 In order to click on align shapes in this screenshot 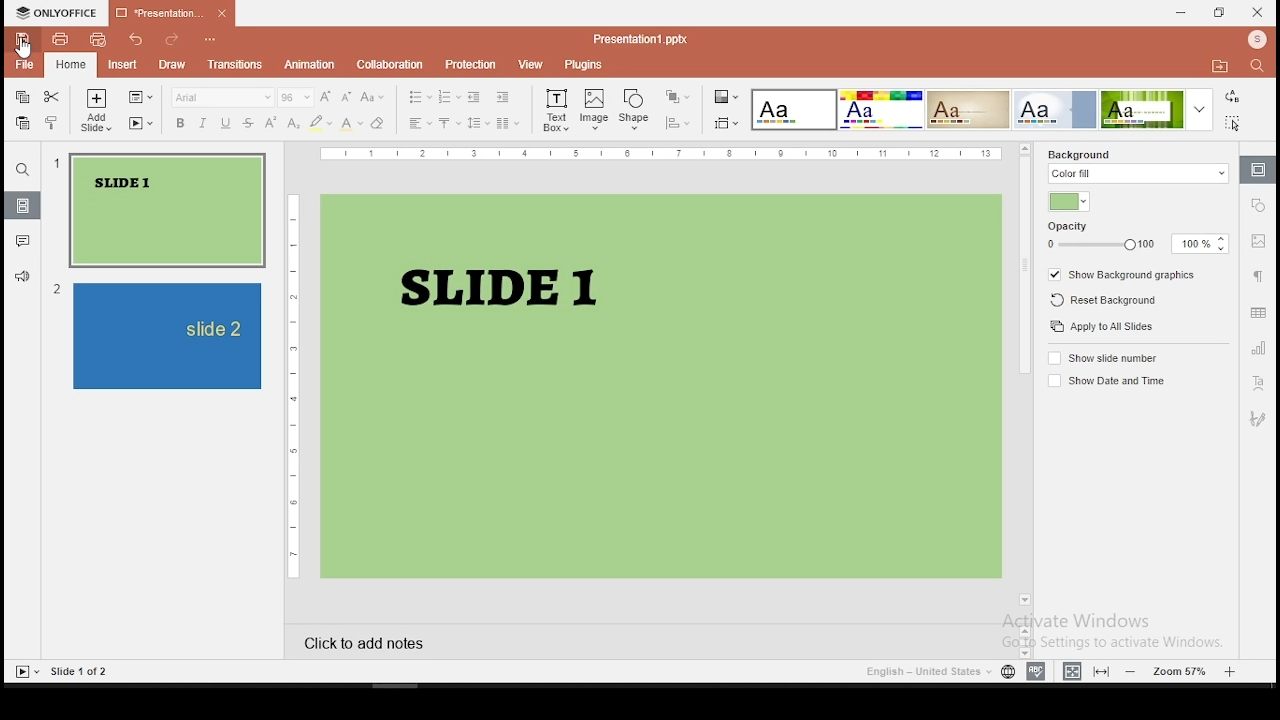, I will do `click(679, 123)`.